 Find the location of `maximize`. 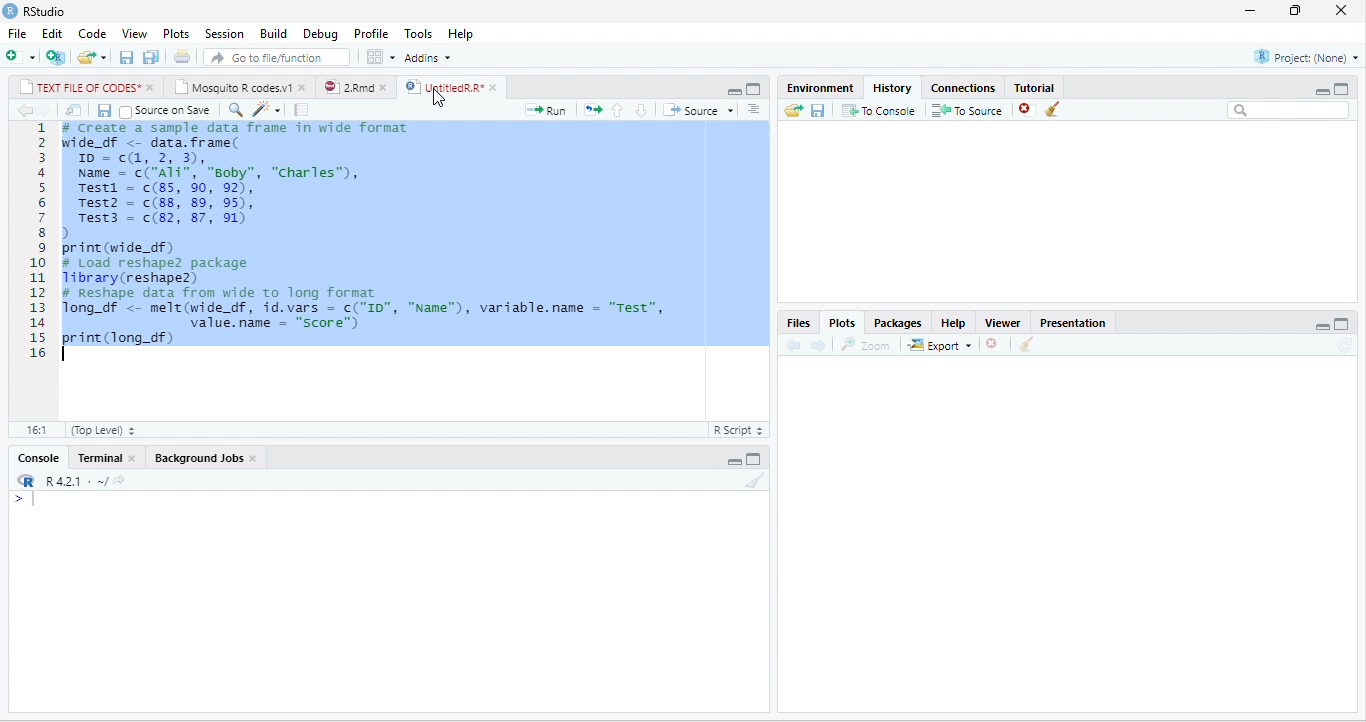

maximize is located at coordinates (1342, 89).